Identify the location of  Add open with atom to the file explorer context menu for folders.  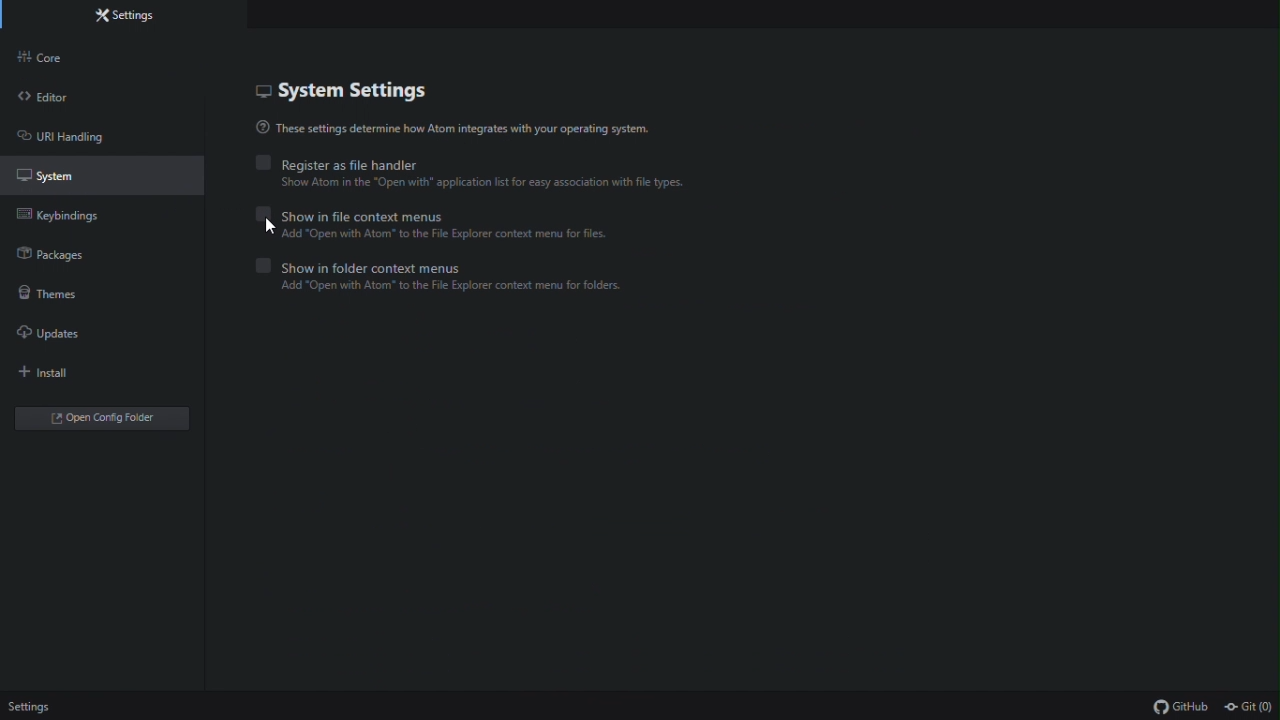
(439, 286).